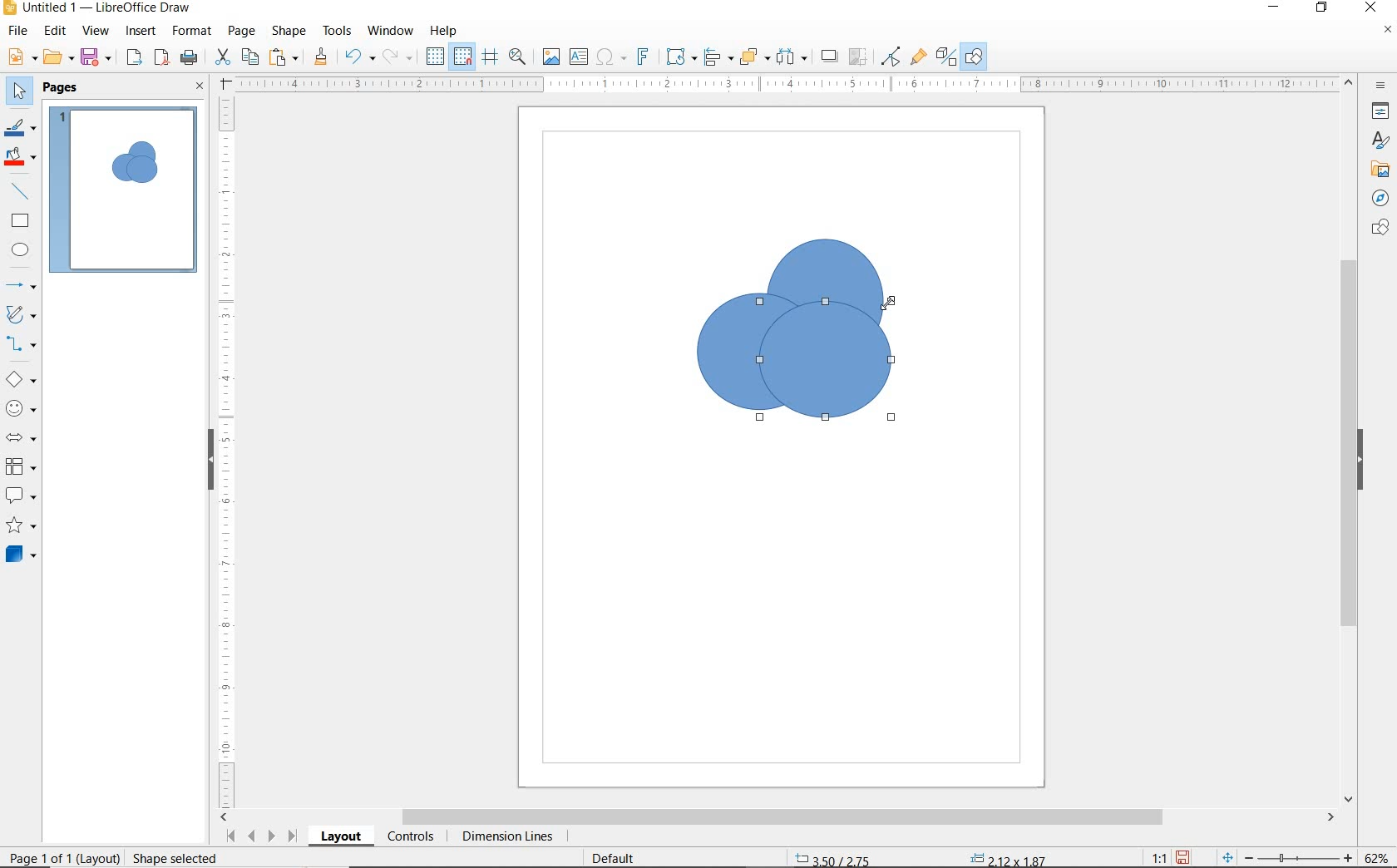  I want to click on PRINT, so click(190, 57).